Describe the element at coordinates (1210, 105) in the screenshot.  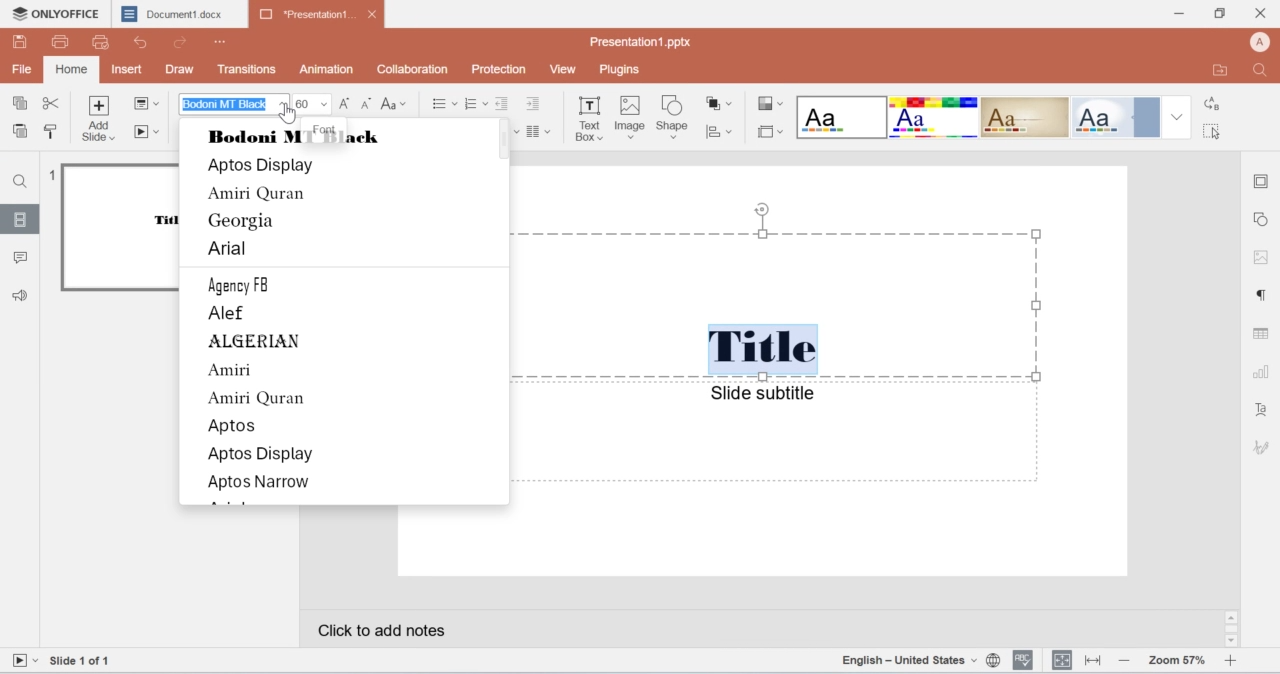
I see `a to b` at that location.